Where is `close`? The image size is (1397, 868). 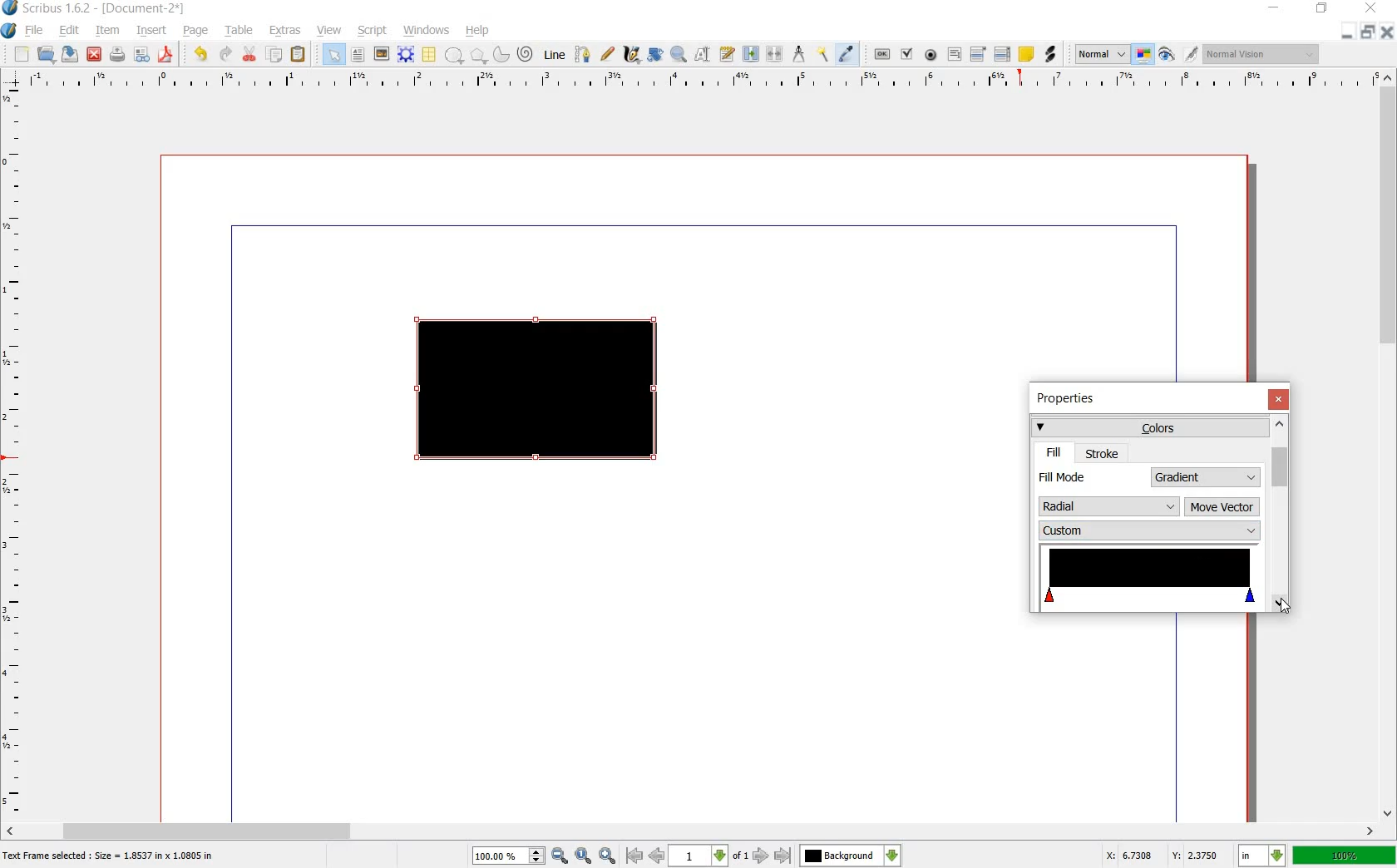 close is located at coordinates (1385, 32).